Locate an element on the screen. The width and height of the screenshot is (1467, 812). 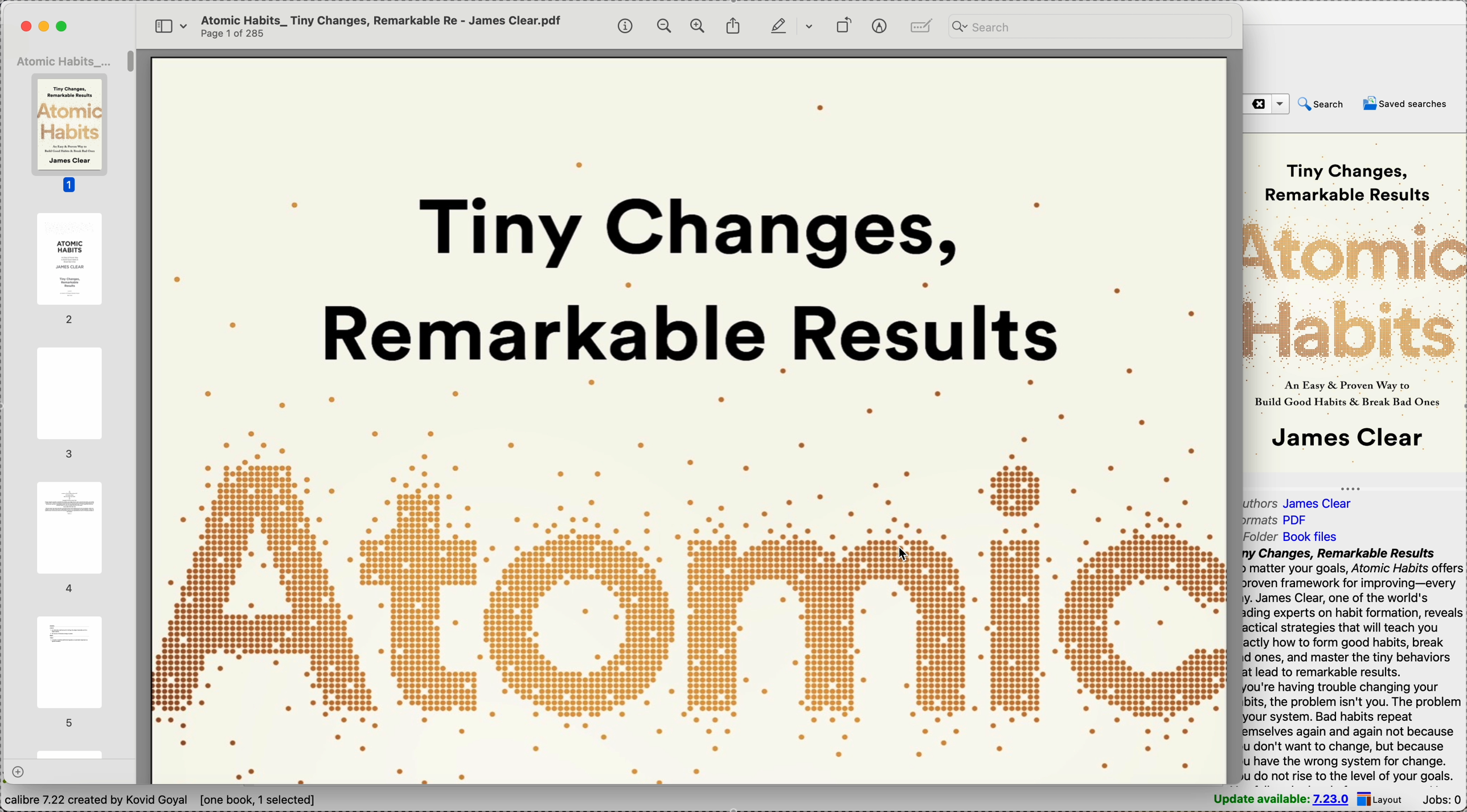
authors is located at coordinates (1304, 503).